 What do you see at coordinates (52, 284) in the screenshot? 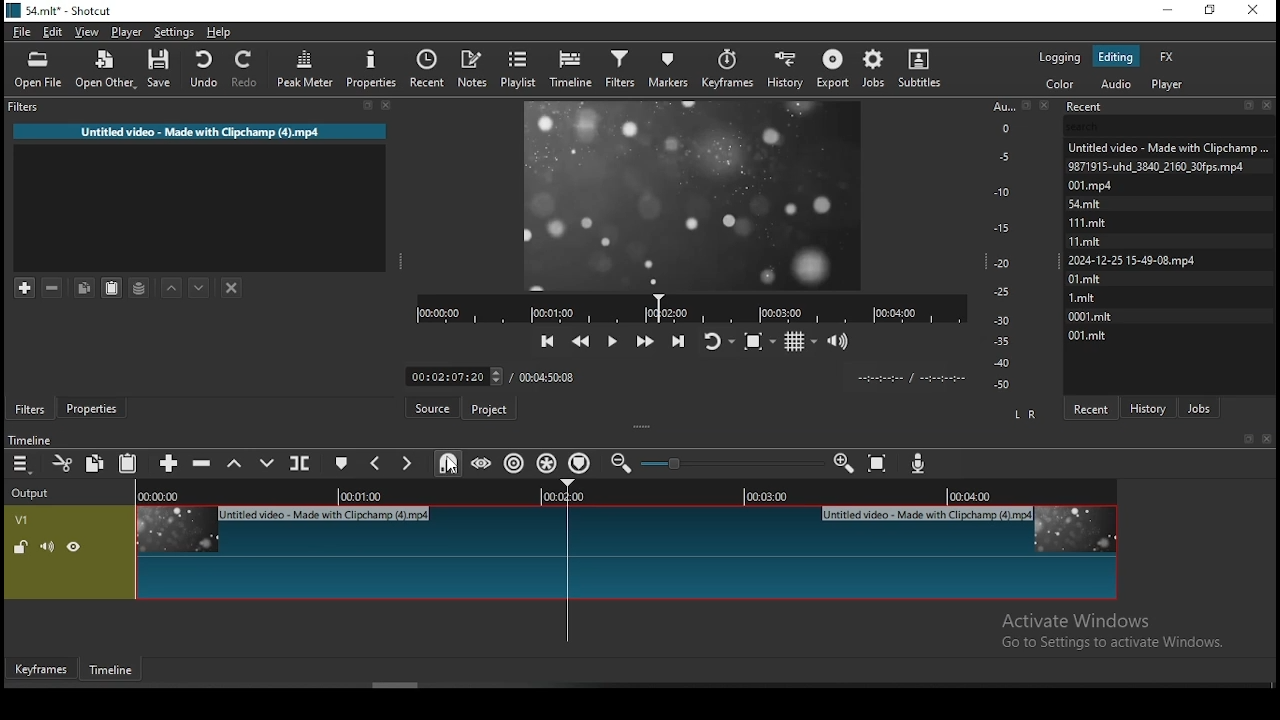
I see `remove selected filters` at bounding box center [52, 284].